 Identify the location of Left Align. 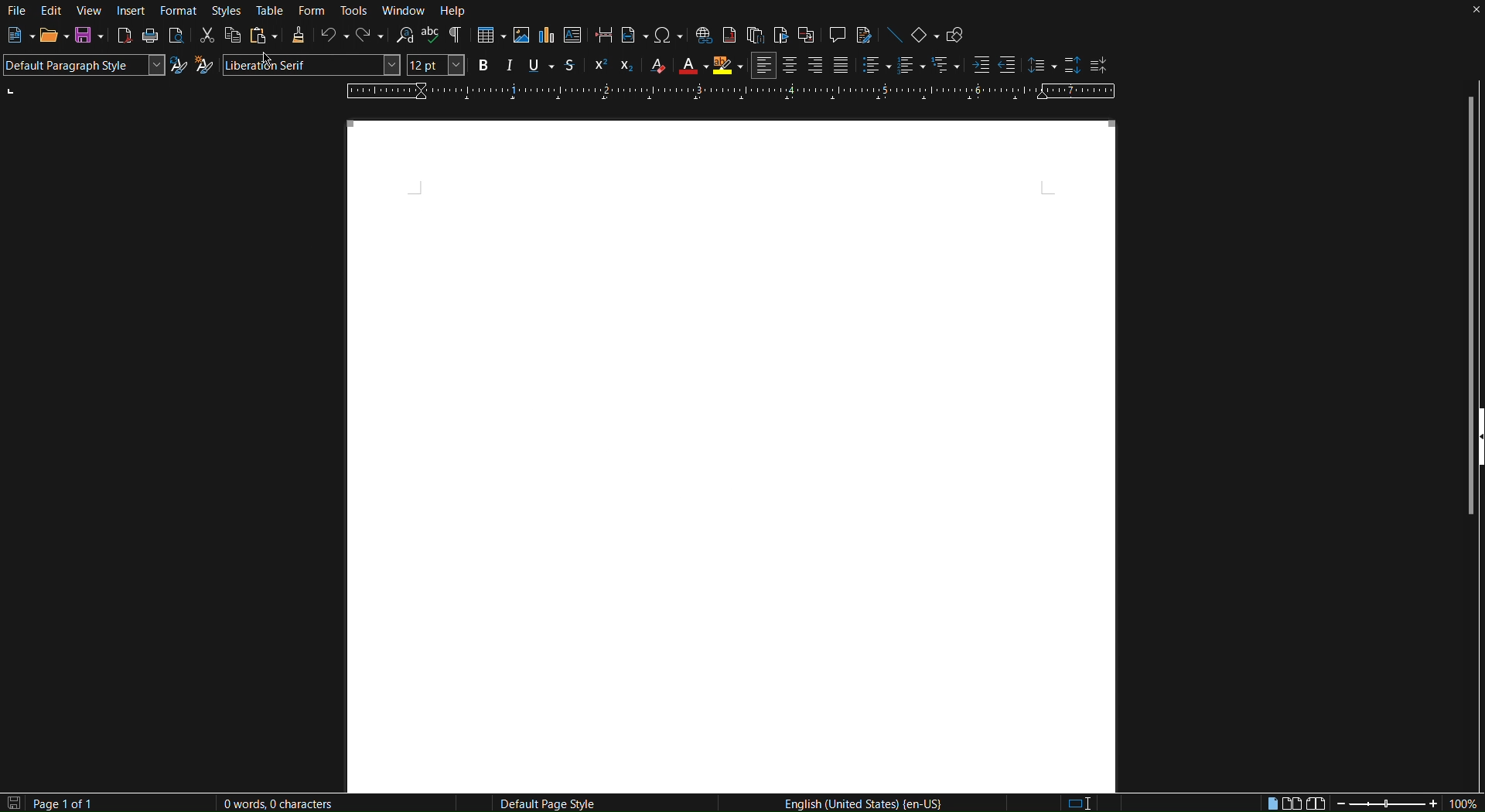
(764, 66).